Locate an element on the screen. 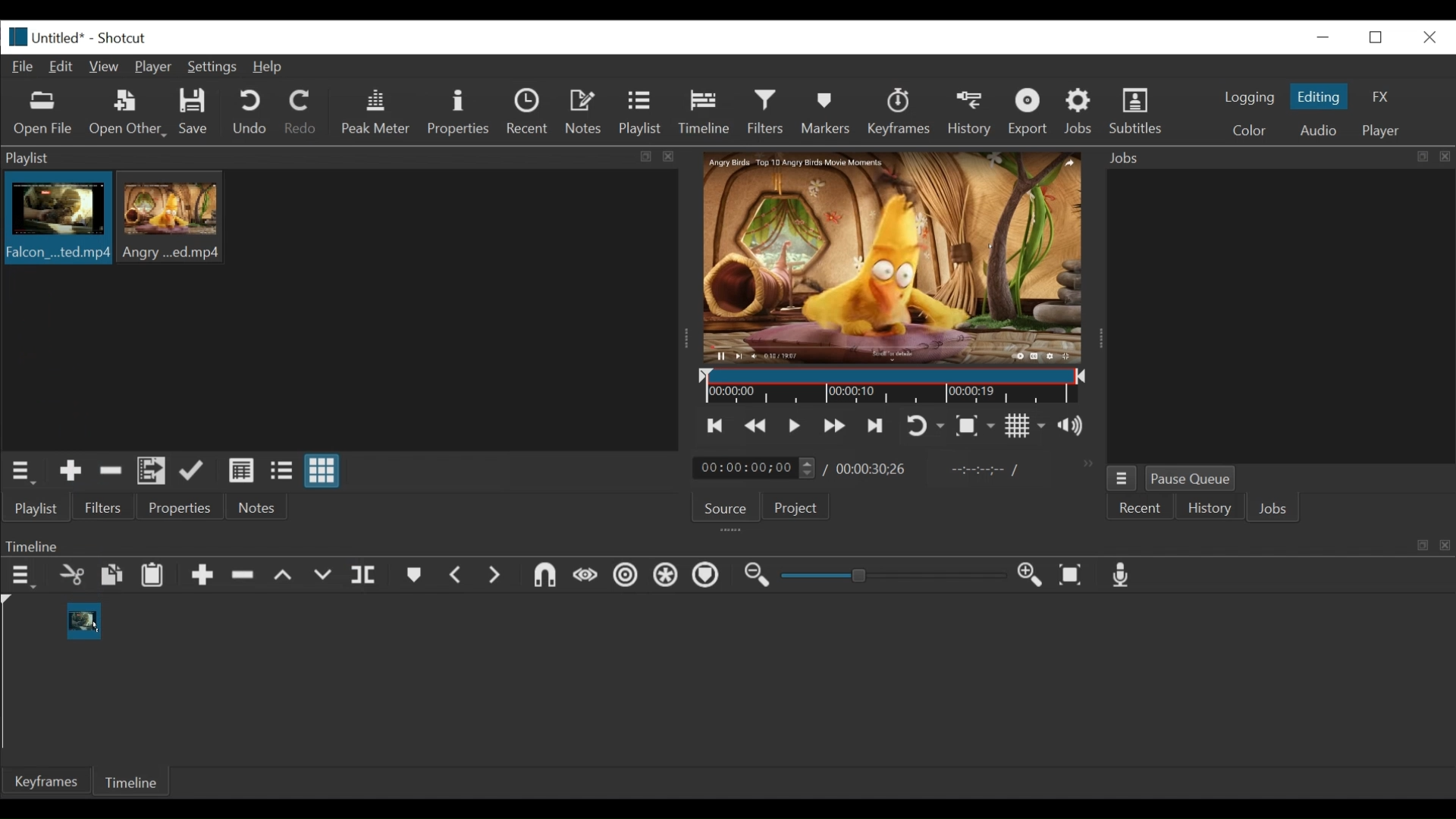 Image resolution: width=1456 pixels, height=819 pixels. keyframes is located at coordinates (900, 114).